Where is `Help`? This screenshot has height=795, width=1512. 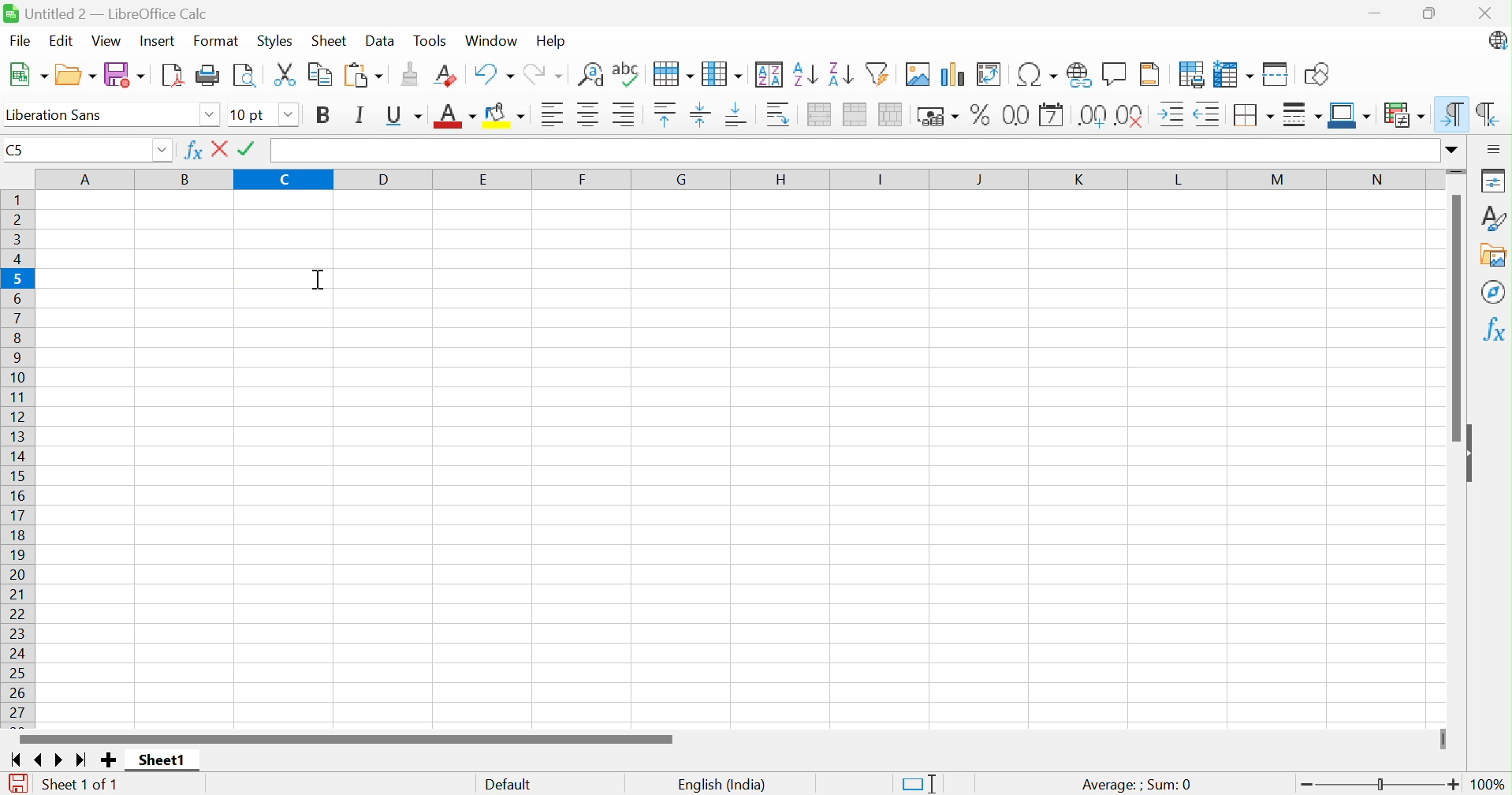 Help is located at coordinates (551, 39).